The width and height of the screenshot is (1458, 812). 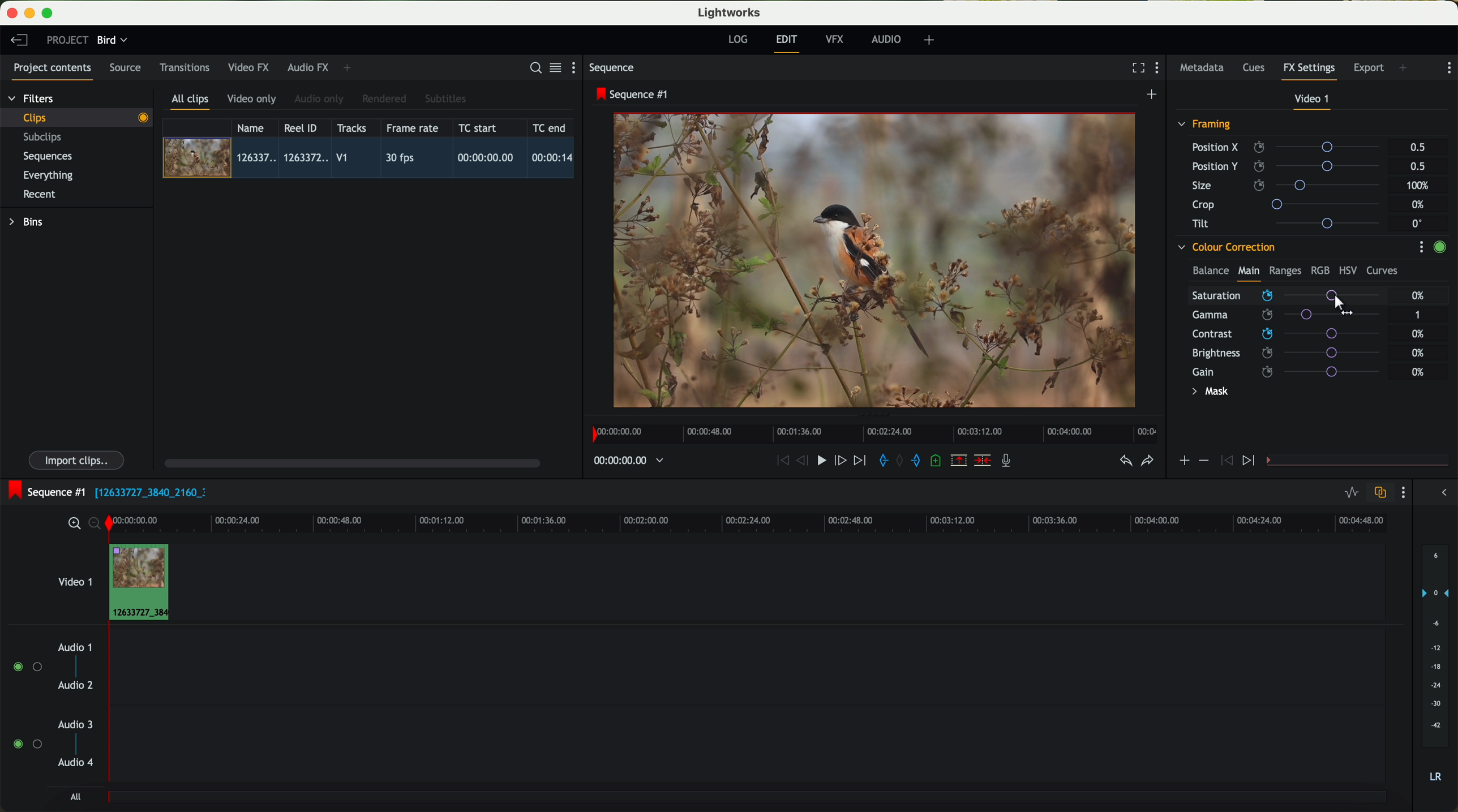 What do you see at coordinates (880, 462) in the screenshot?
I see `add 'in' mark` at bounding box center [880, 462].